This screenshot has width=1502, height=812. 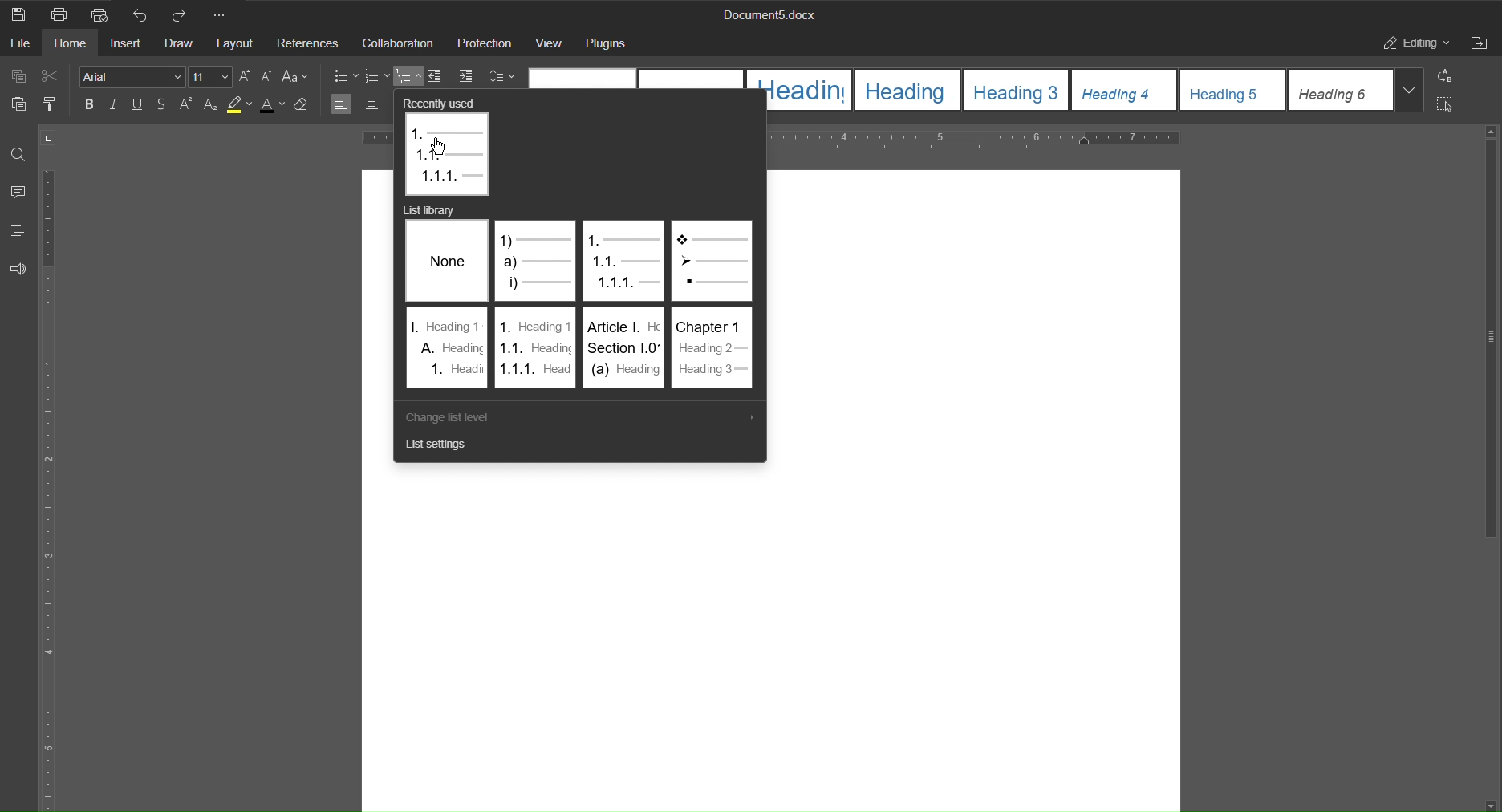 What do you see at coordinates (20, 45) in the screenshot?
I see `File ` at bounding box center [20, 45].